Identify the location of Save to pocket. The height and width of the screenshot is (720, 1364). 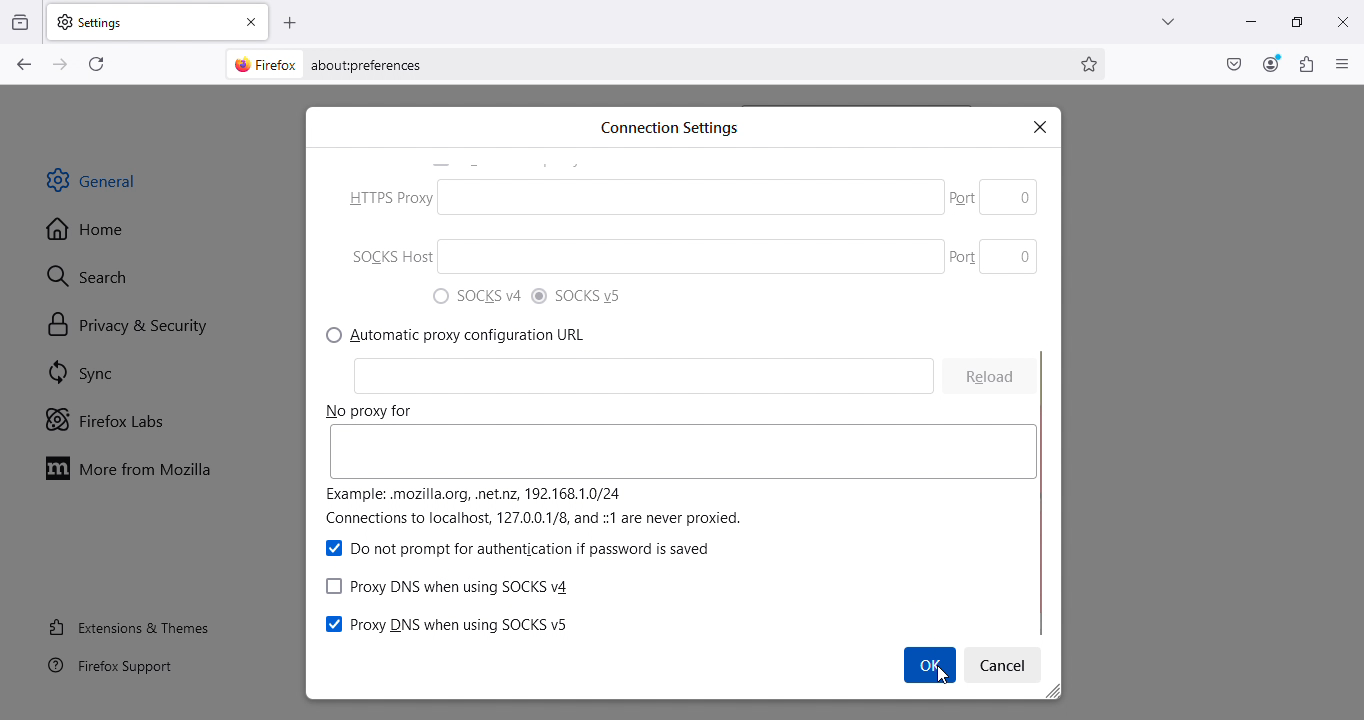
(1235, 64).